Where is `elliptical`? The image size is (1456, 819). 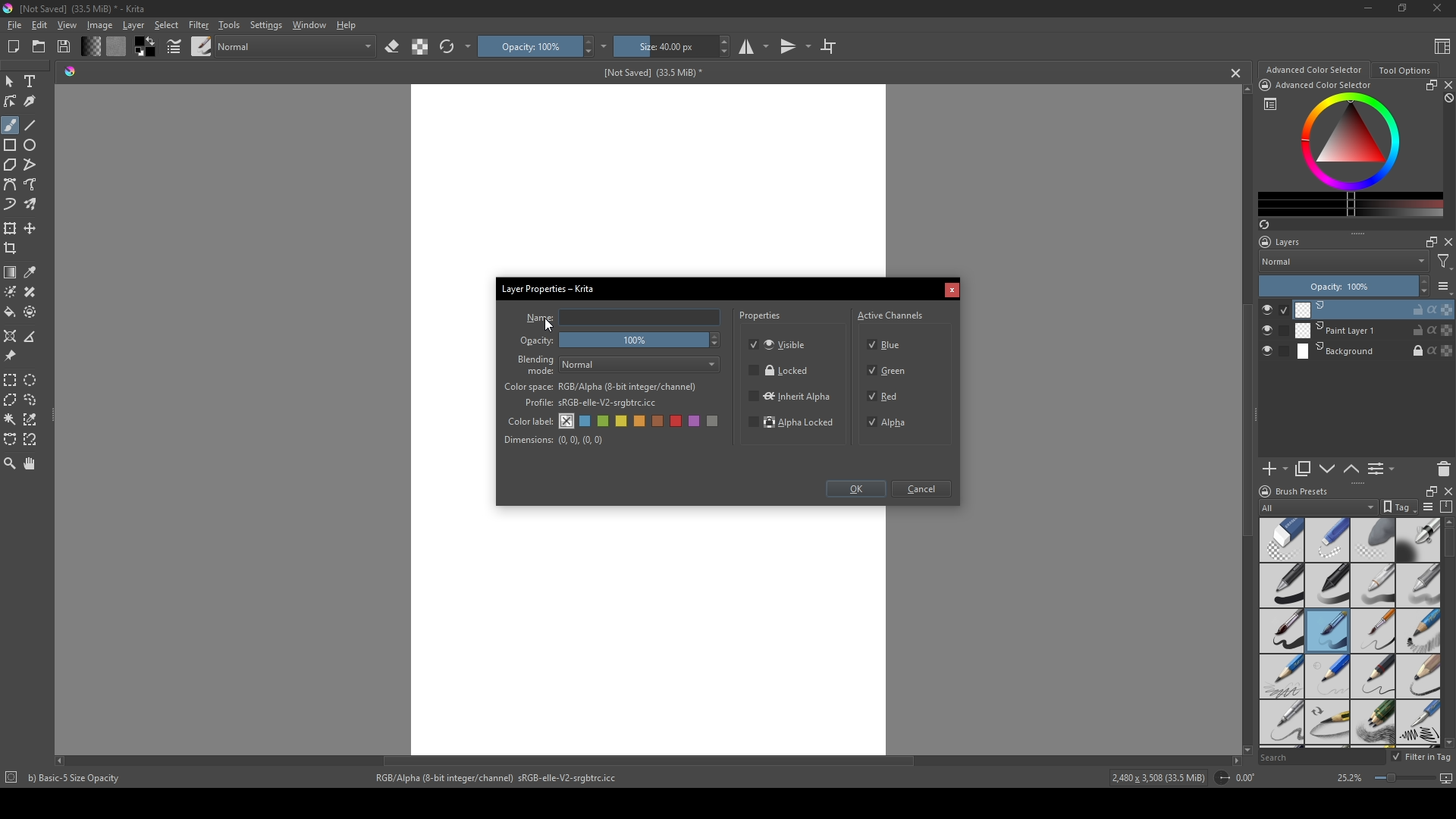 elliptical is located at coordinates (33, 379).